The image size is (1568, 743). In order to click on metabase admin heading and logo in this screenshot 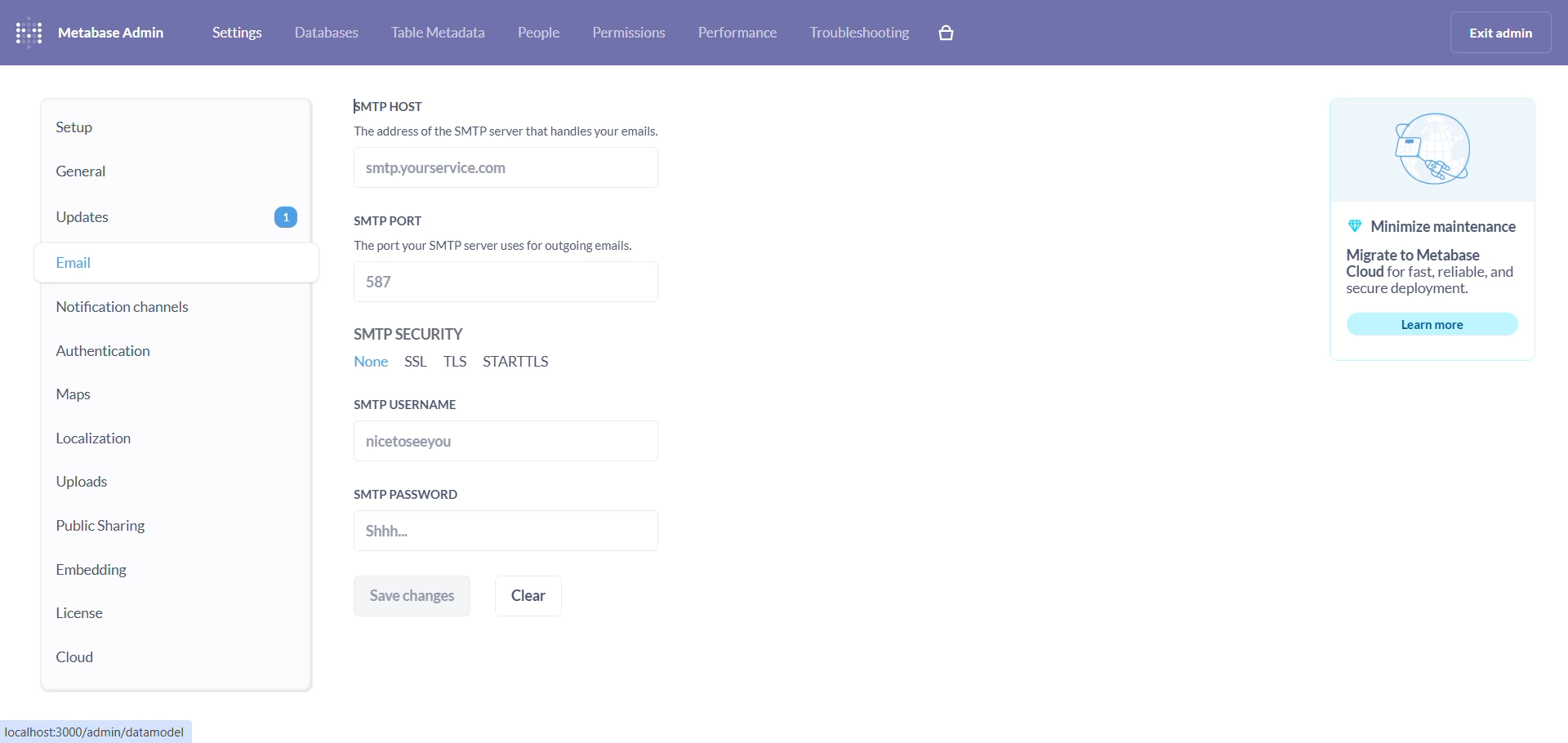, I will do `click(91, 33)`.